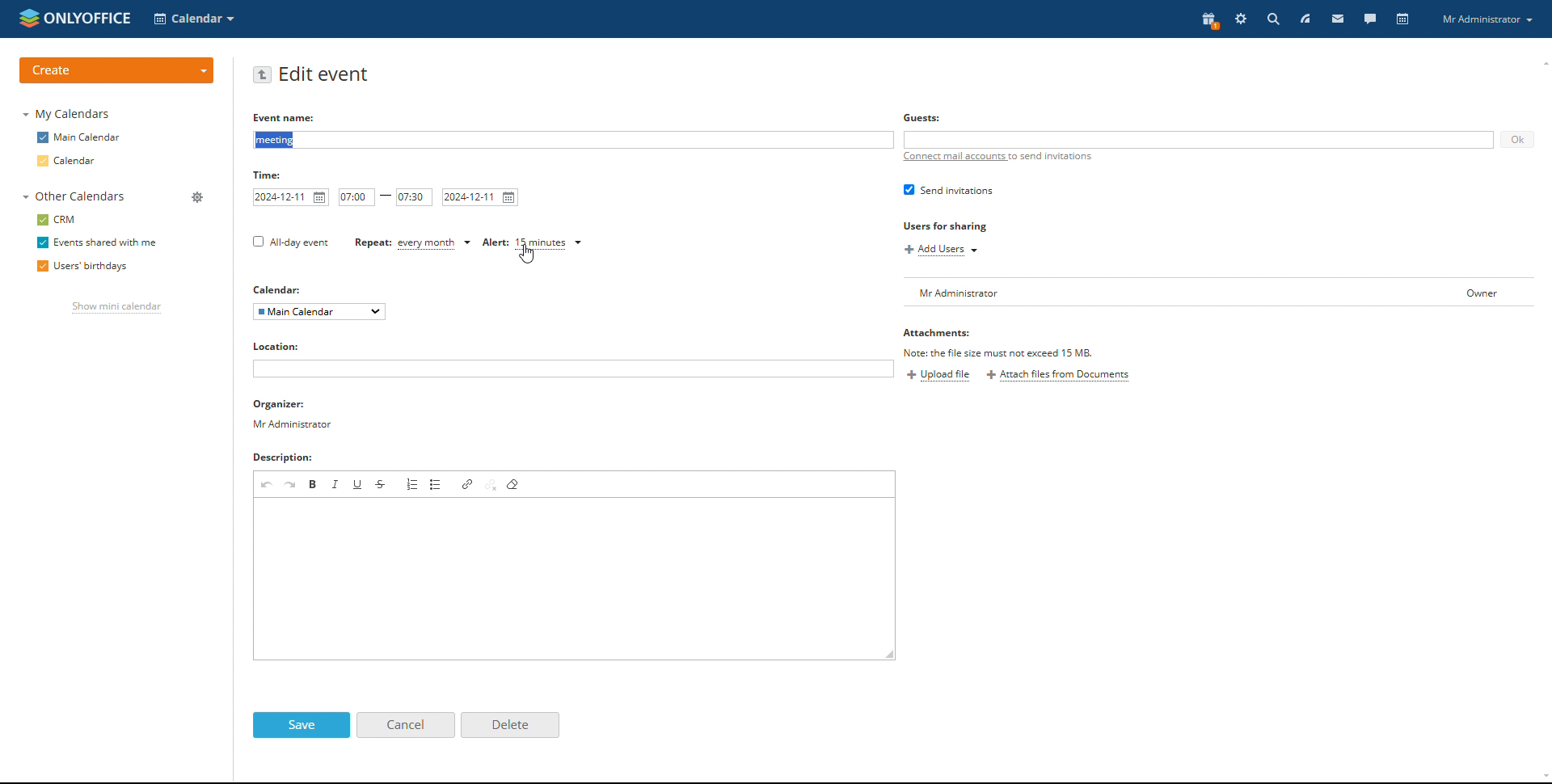 The image size is (1552, 784). Describe the element at coordinates (573, 141) in the screenshot. I see `add event name` at that location.